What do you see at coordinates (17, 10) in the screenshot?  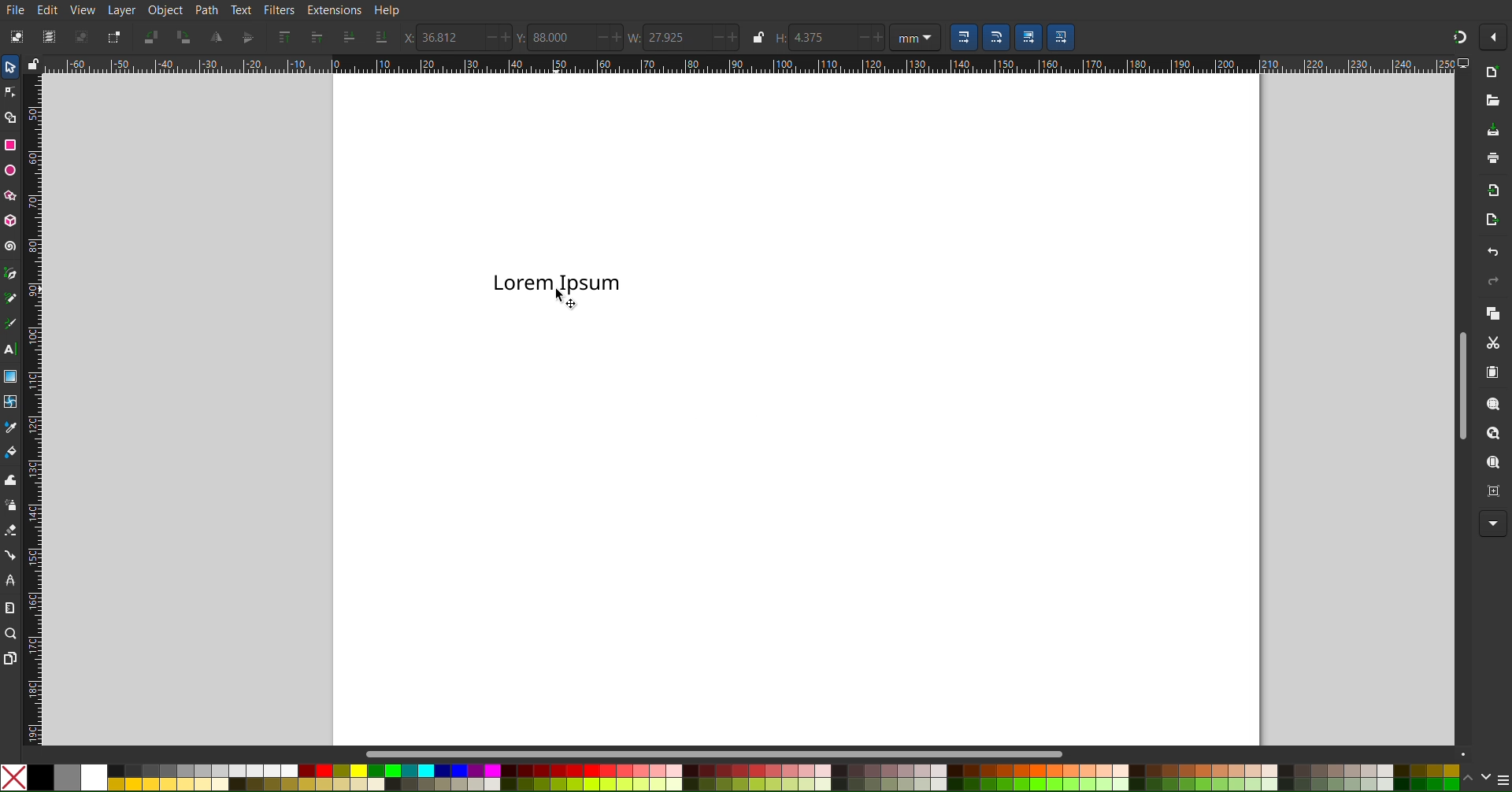 I see `File ` at bounding box center [17, 10].